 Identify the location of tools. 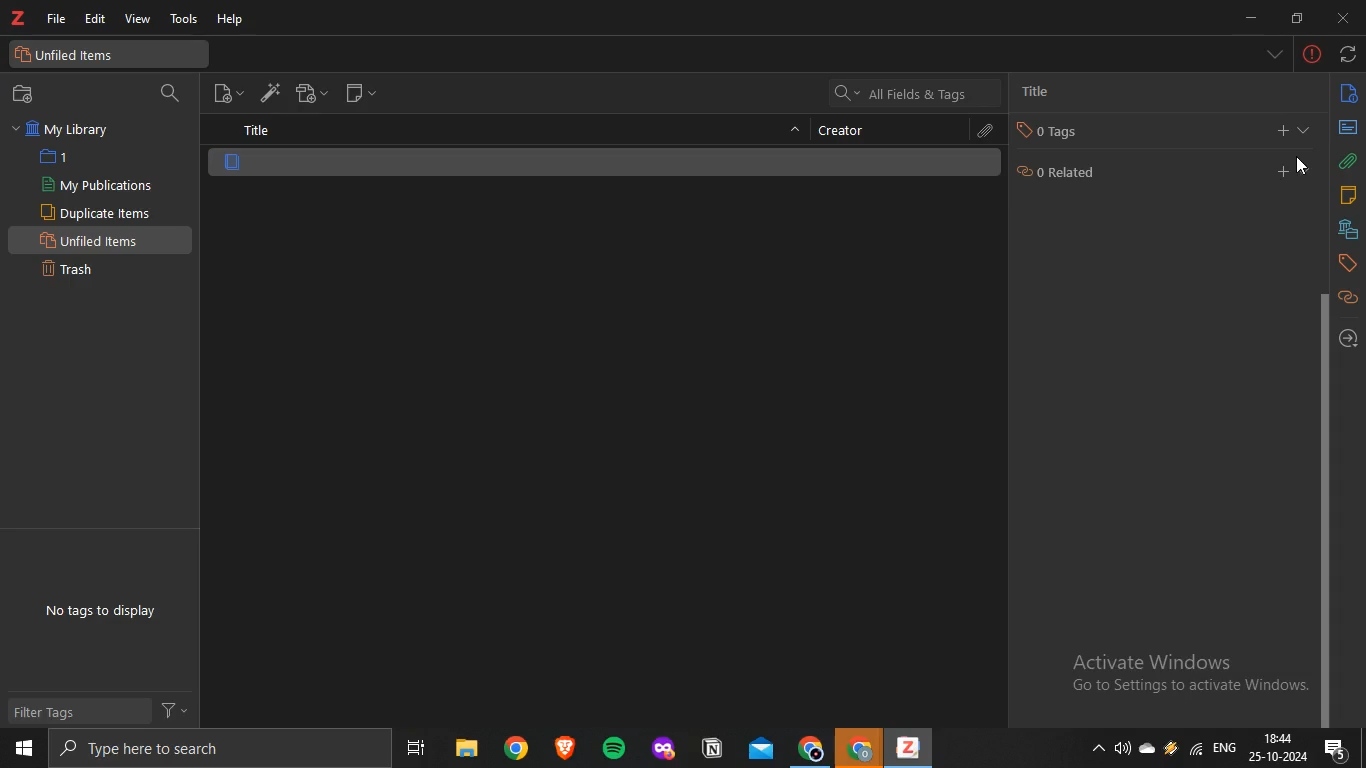
(184, 16).